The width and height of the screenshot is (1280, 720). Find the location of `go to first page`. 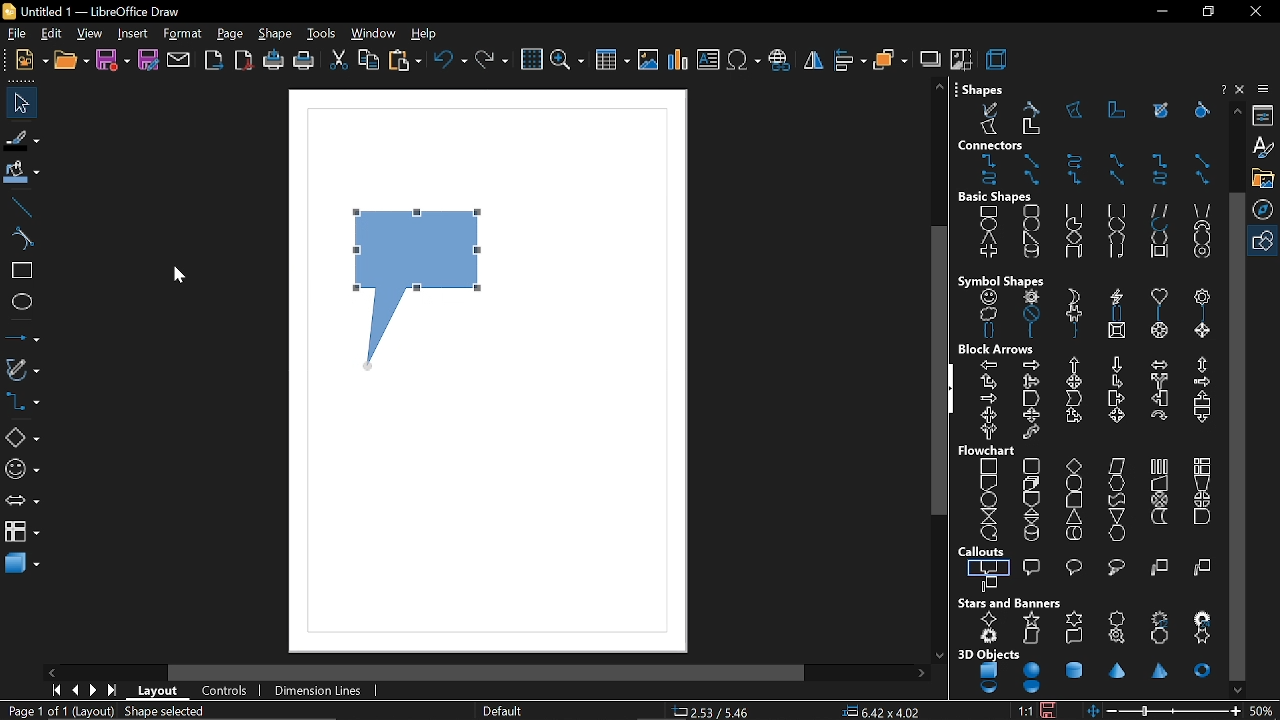

go to first page is located at coordinates (53, 692).